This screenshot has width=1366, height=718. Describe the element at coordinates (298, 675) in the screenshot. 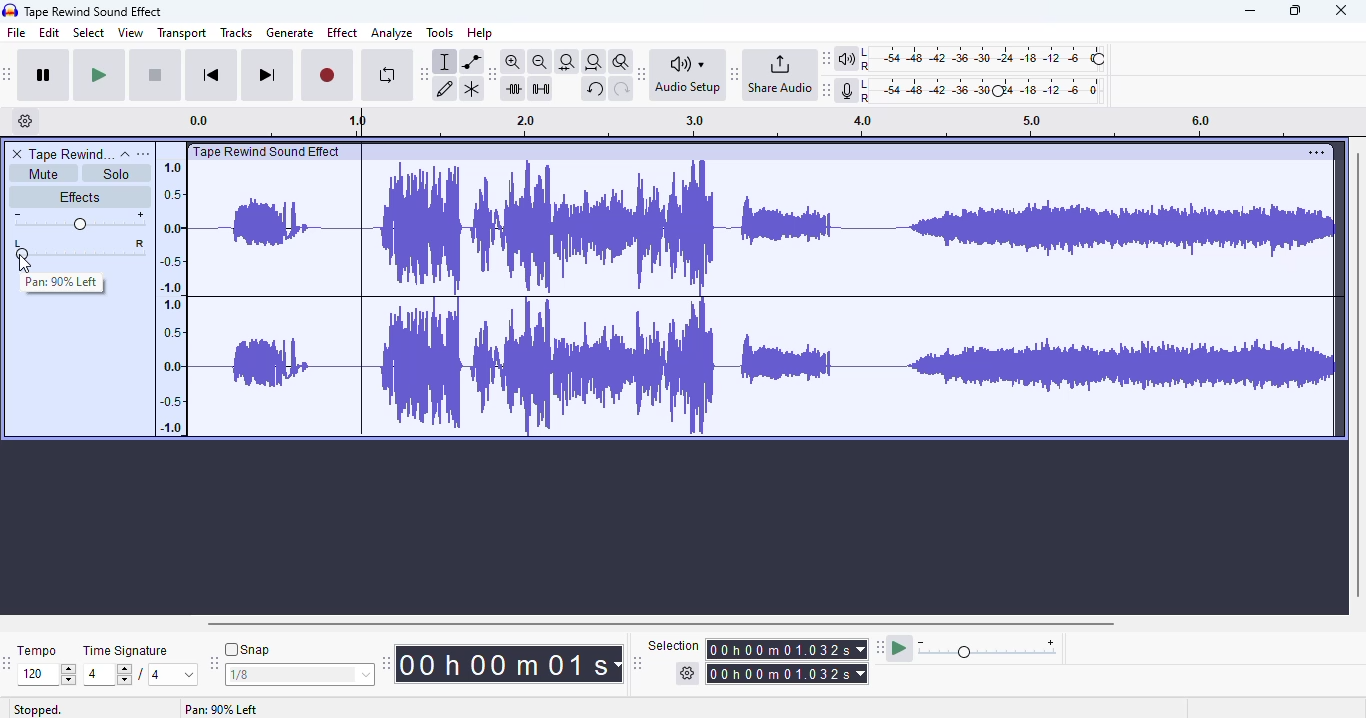

I see `1/8` at that location.